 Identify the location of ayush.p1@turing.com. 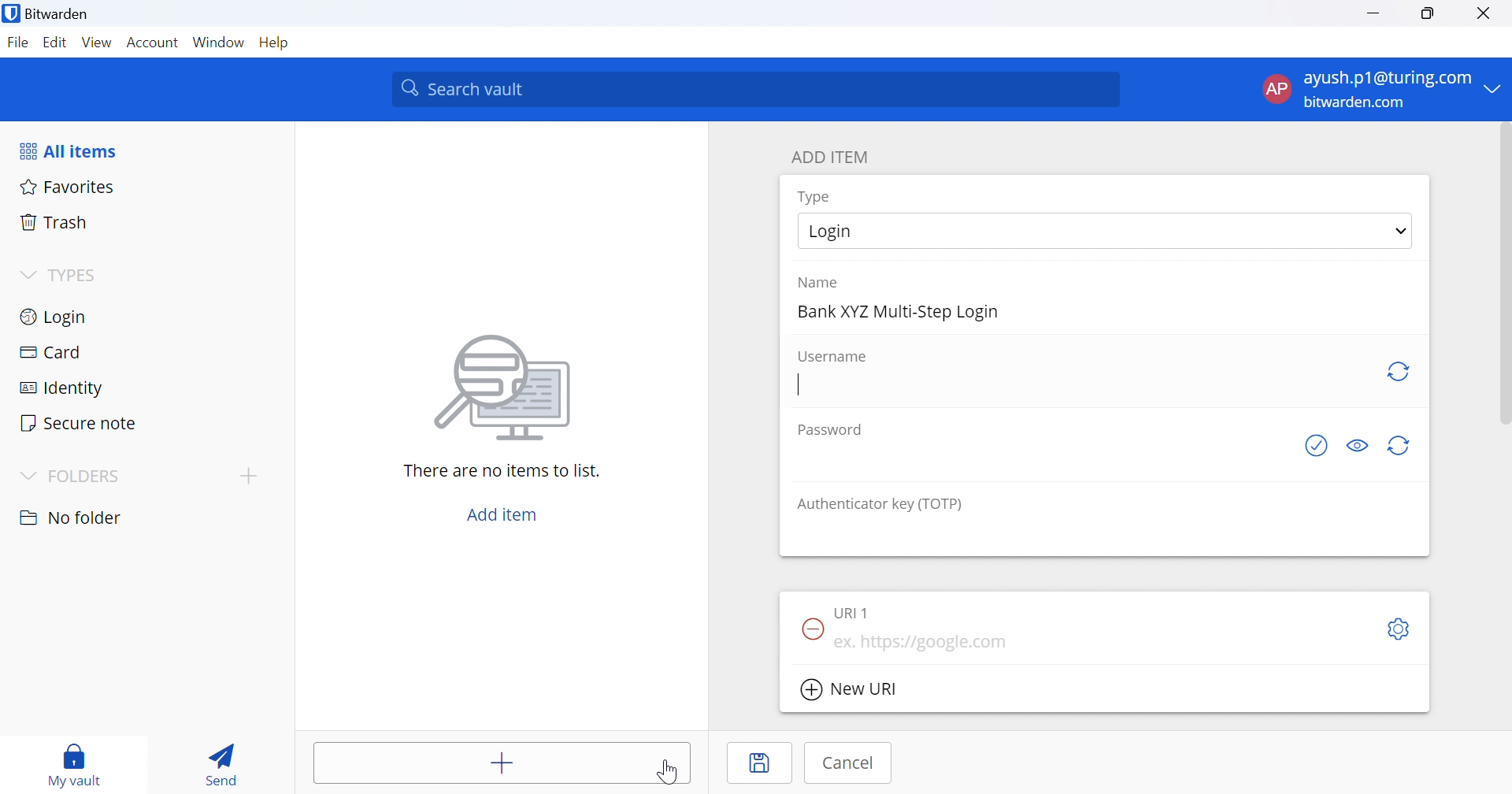
(1388, 78).